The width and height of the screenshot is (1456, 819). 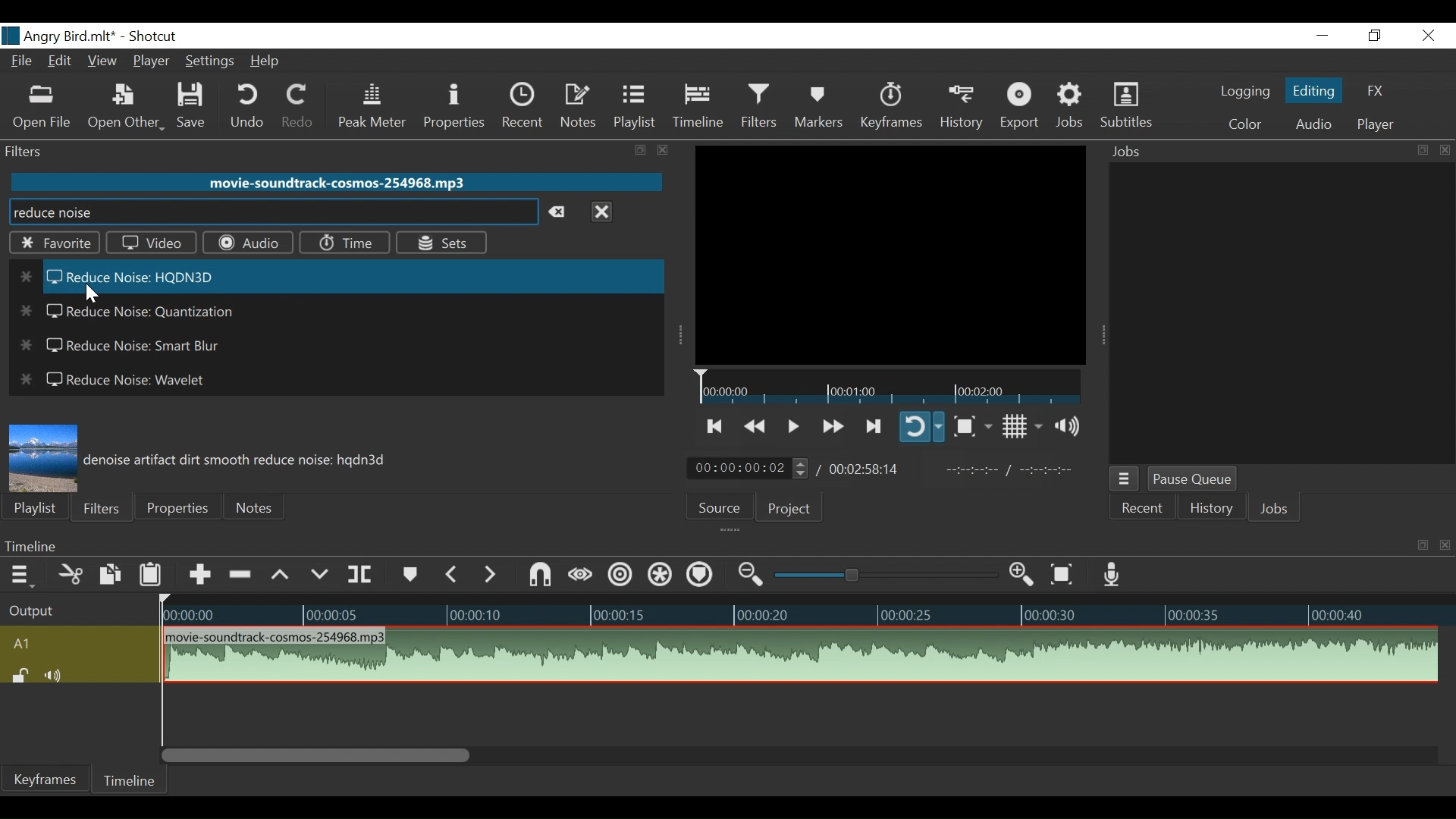 I want to click on Jobs, so click(x=1072, y=108).